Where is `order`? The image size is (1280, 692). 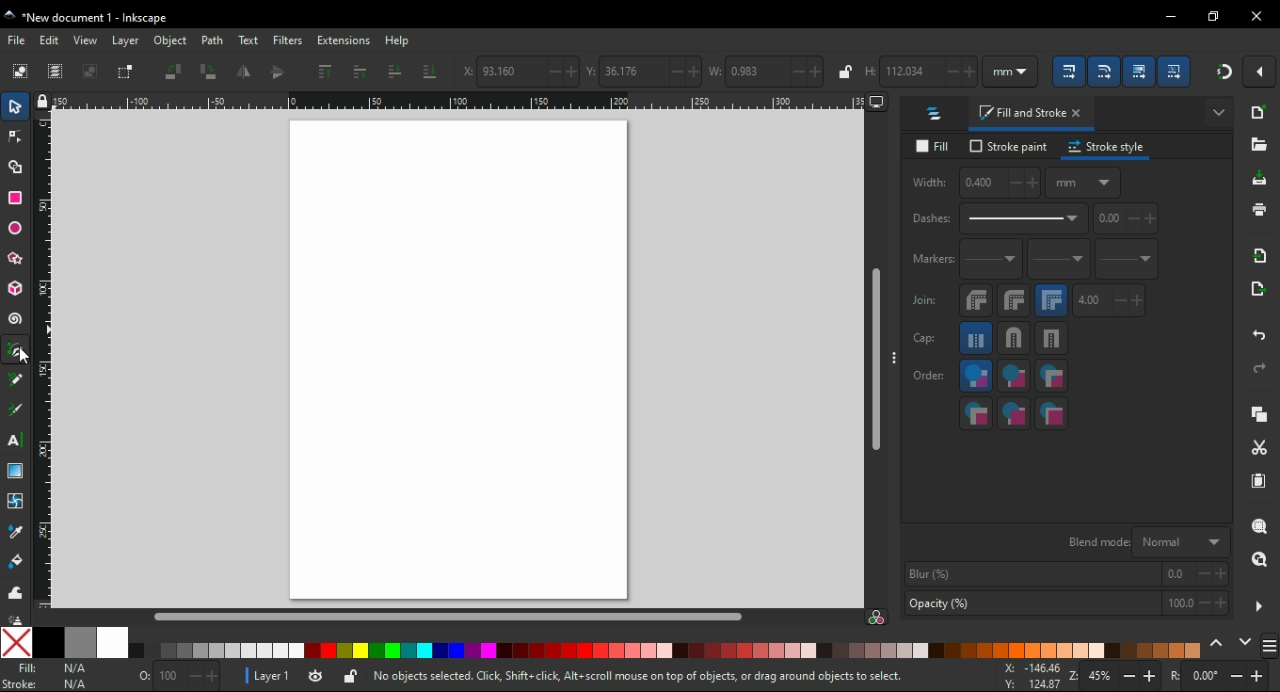 order is located at coordinates (929, 374).